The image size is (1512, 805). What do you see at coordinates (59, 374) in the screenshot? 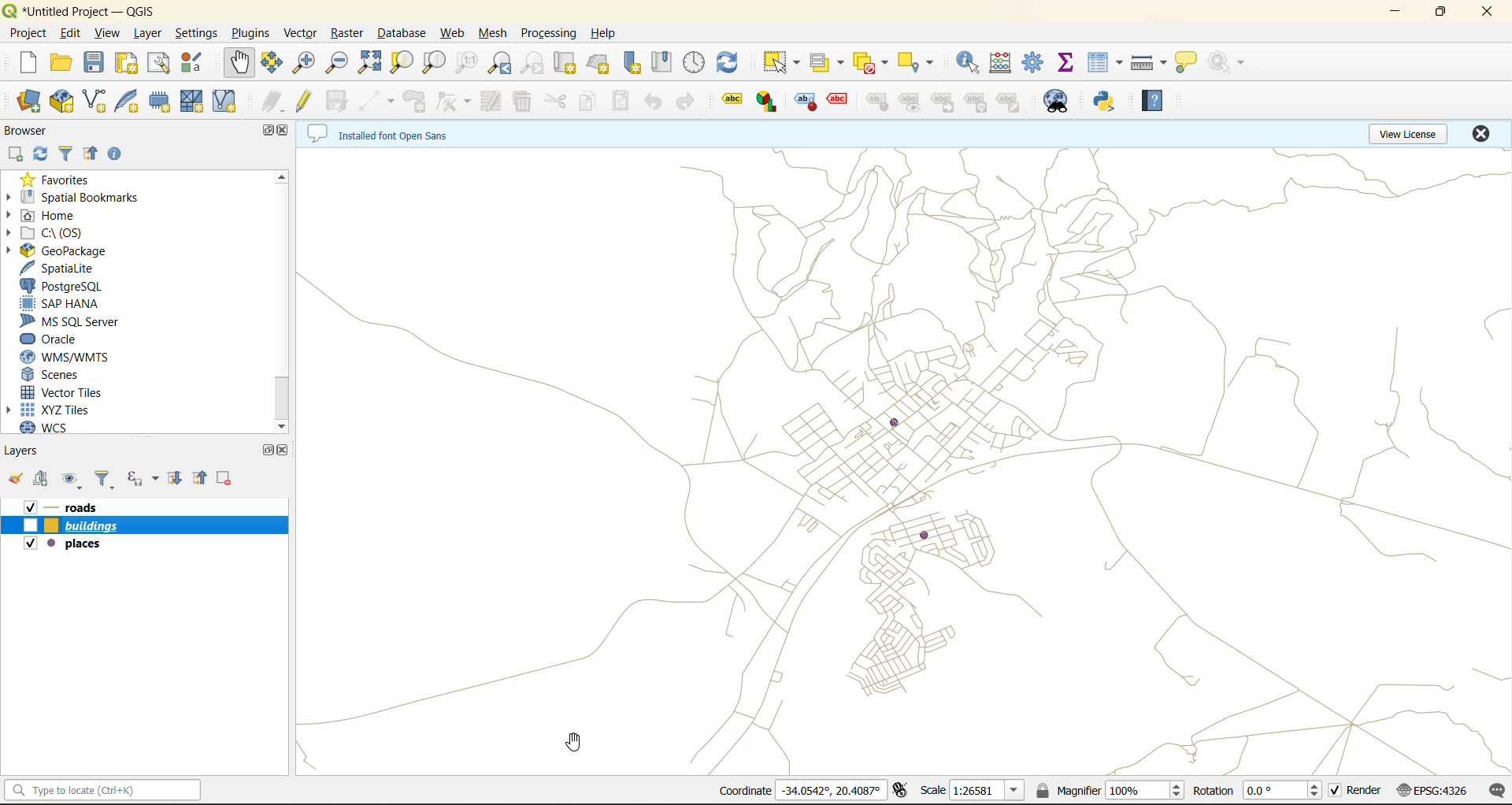
I see `scenes` at bounding box center [59, 374].